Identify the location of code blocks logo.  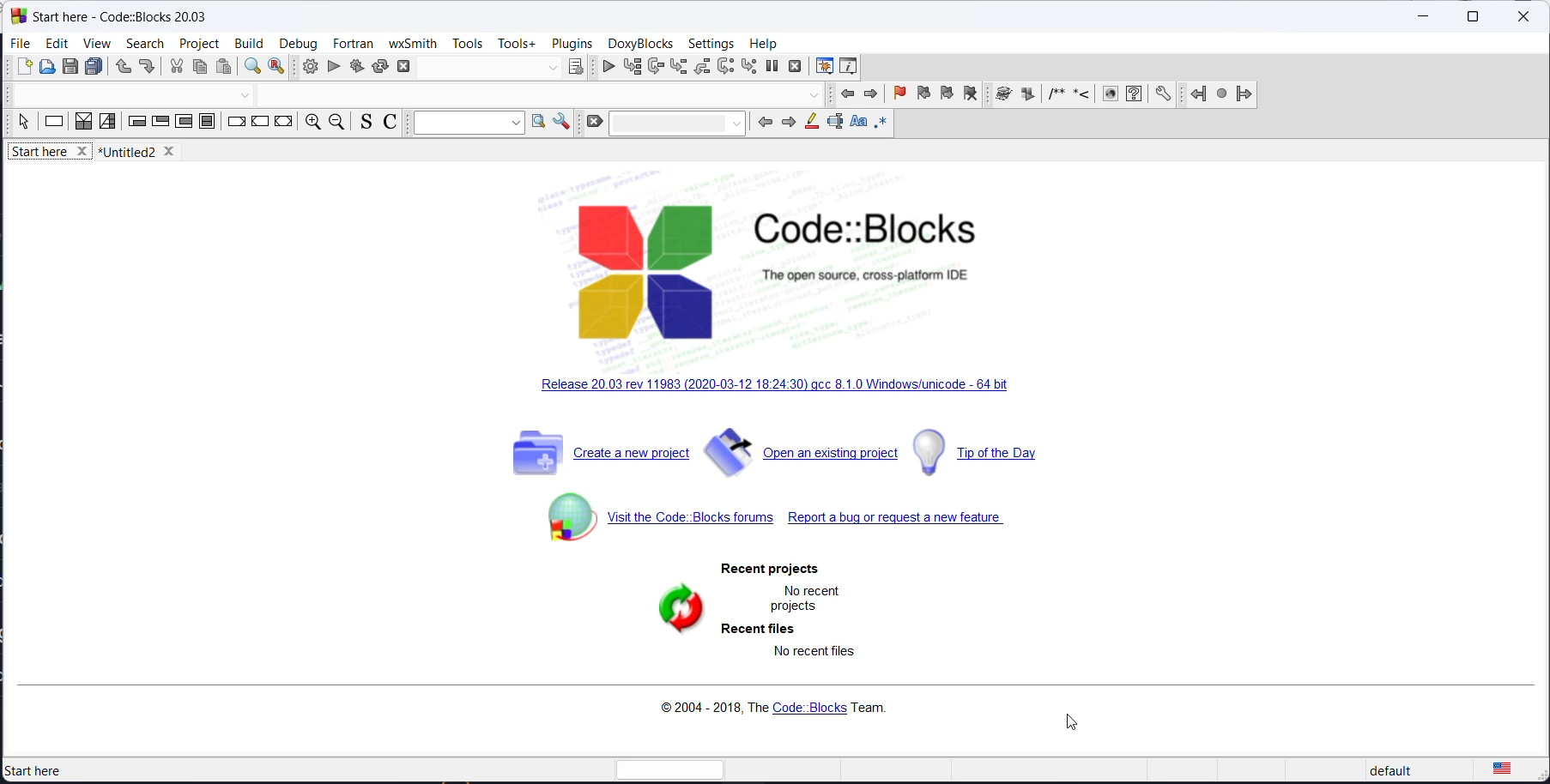
(808, 270).